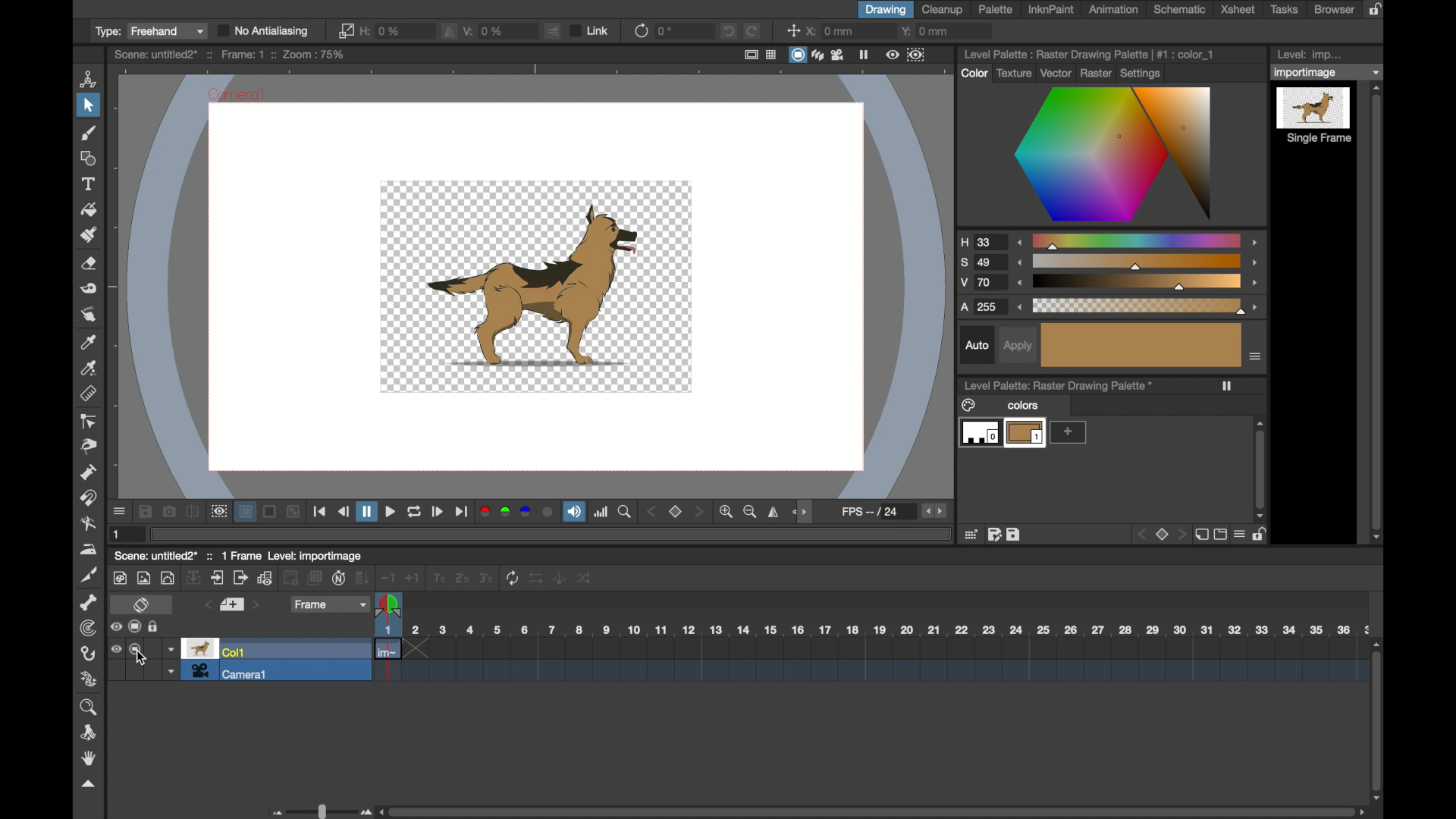 Image resolution: width=1456 pixels, height=819 pixels. What do you see at coordinates (233, 605) in the screenshot?
I see `set` at bounding box center [233, 605].